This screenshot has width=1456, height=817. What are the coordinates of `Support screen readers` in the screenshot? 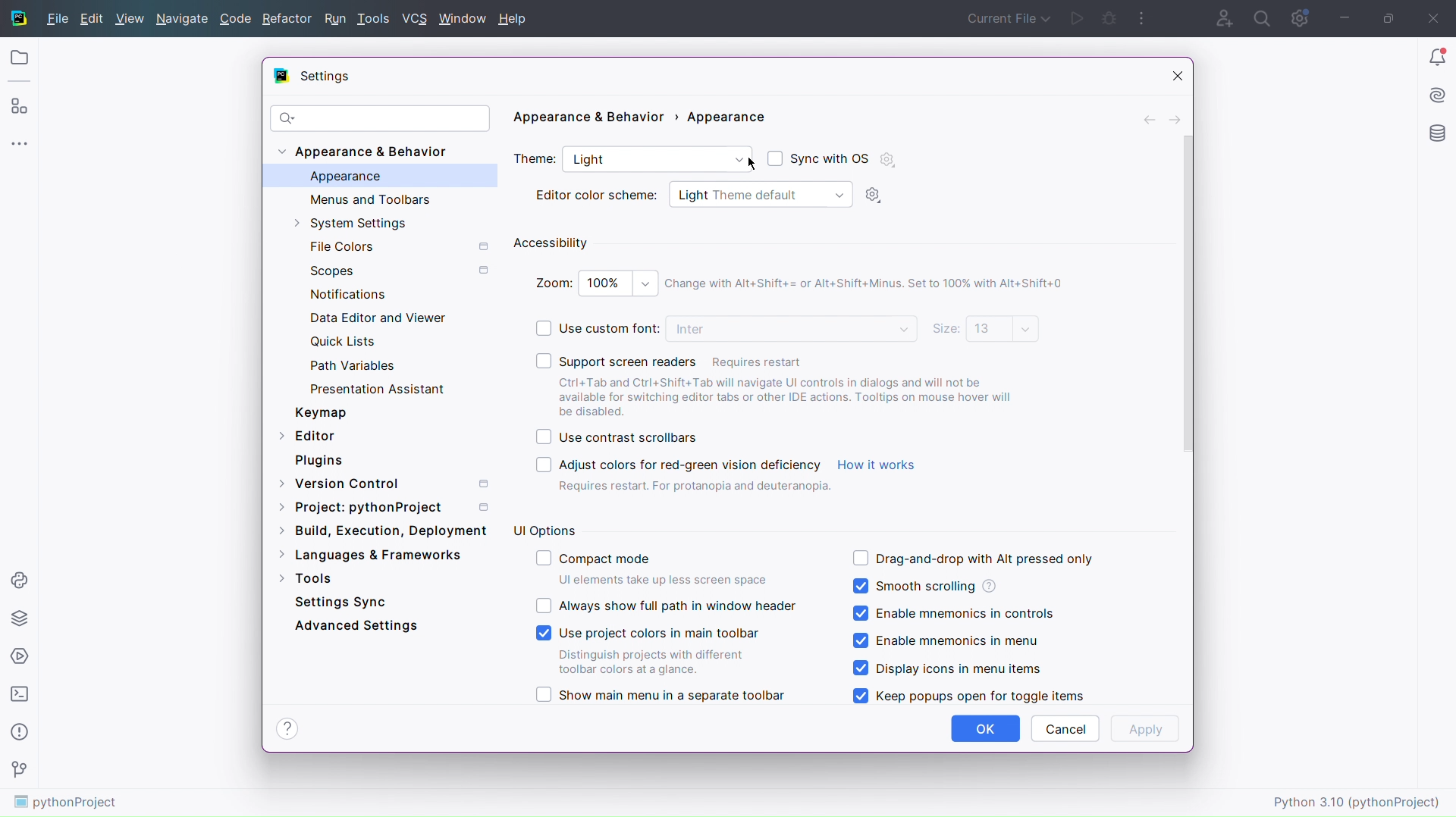 It's located at (781, 358).